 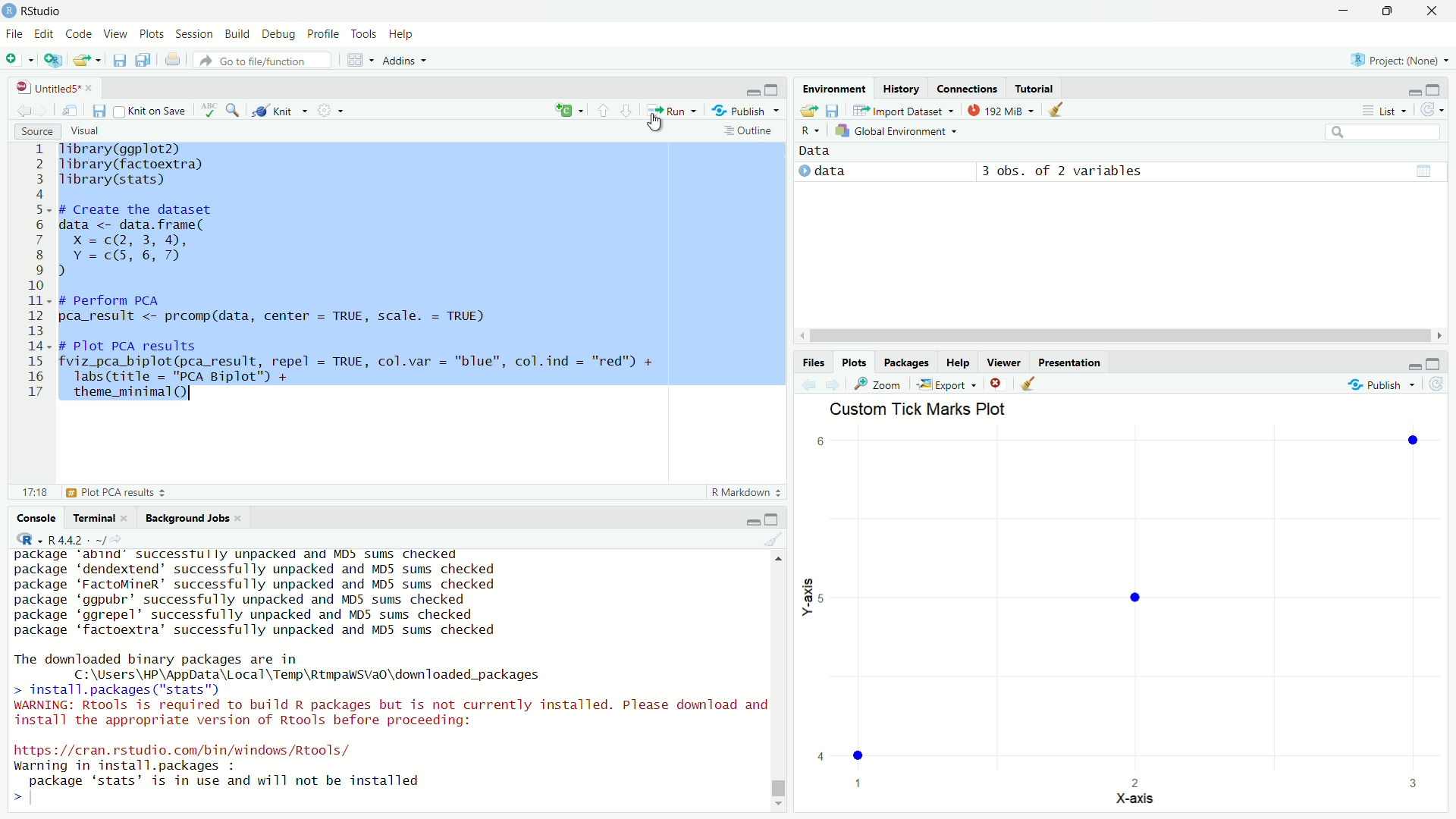 I want to click on console, so click(x=37, y=518).